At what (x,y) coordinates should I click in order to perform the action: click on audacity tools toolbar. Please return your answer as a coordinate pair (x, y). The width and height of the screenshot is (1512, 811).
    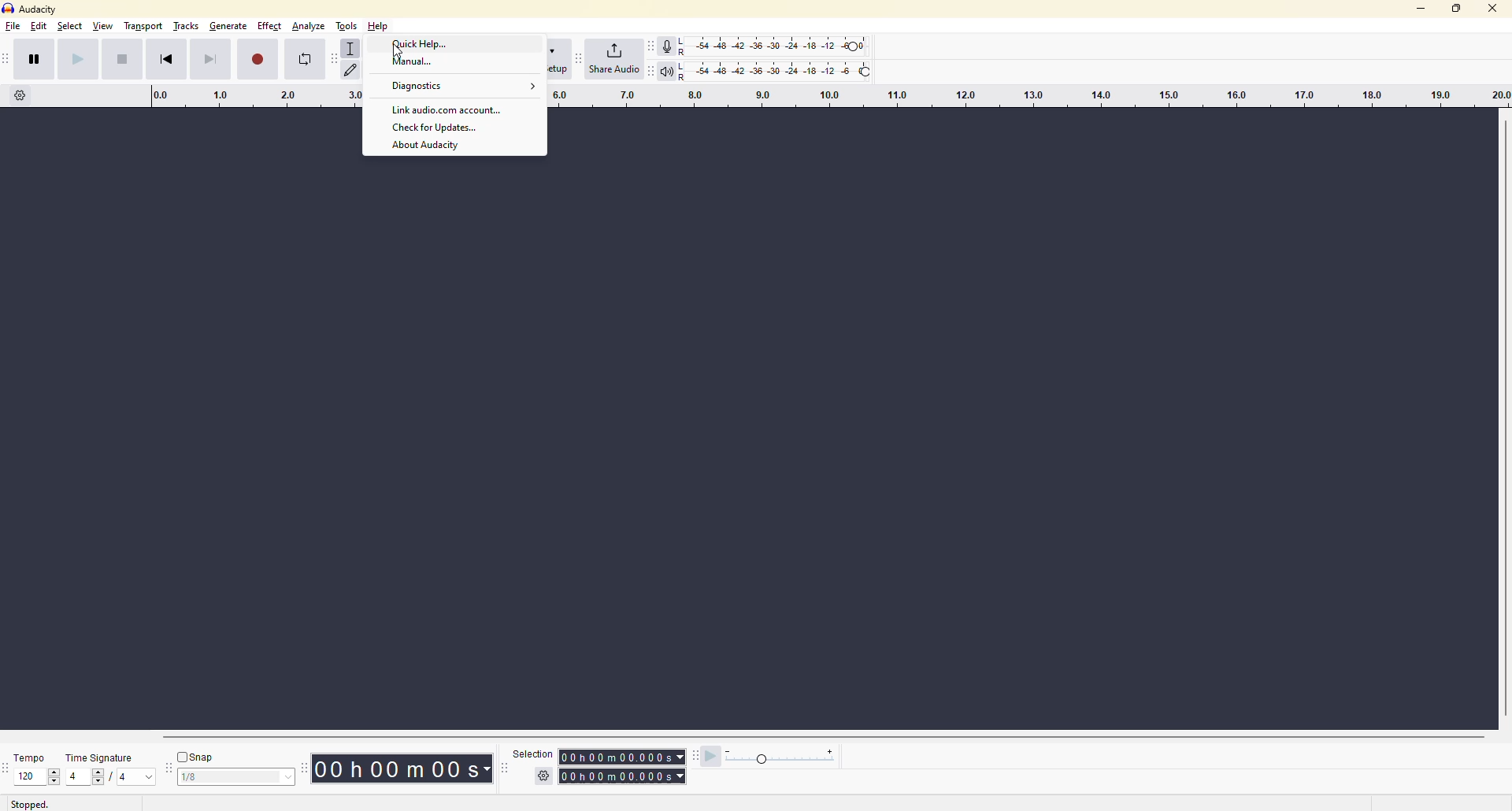
    Looking at the image, I should click on (332, 57).